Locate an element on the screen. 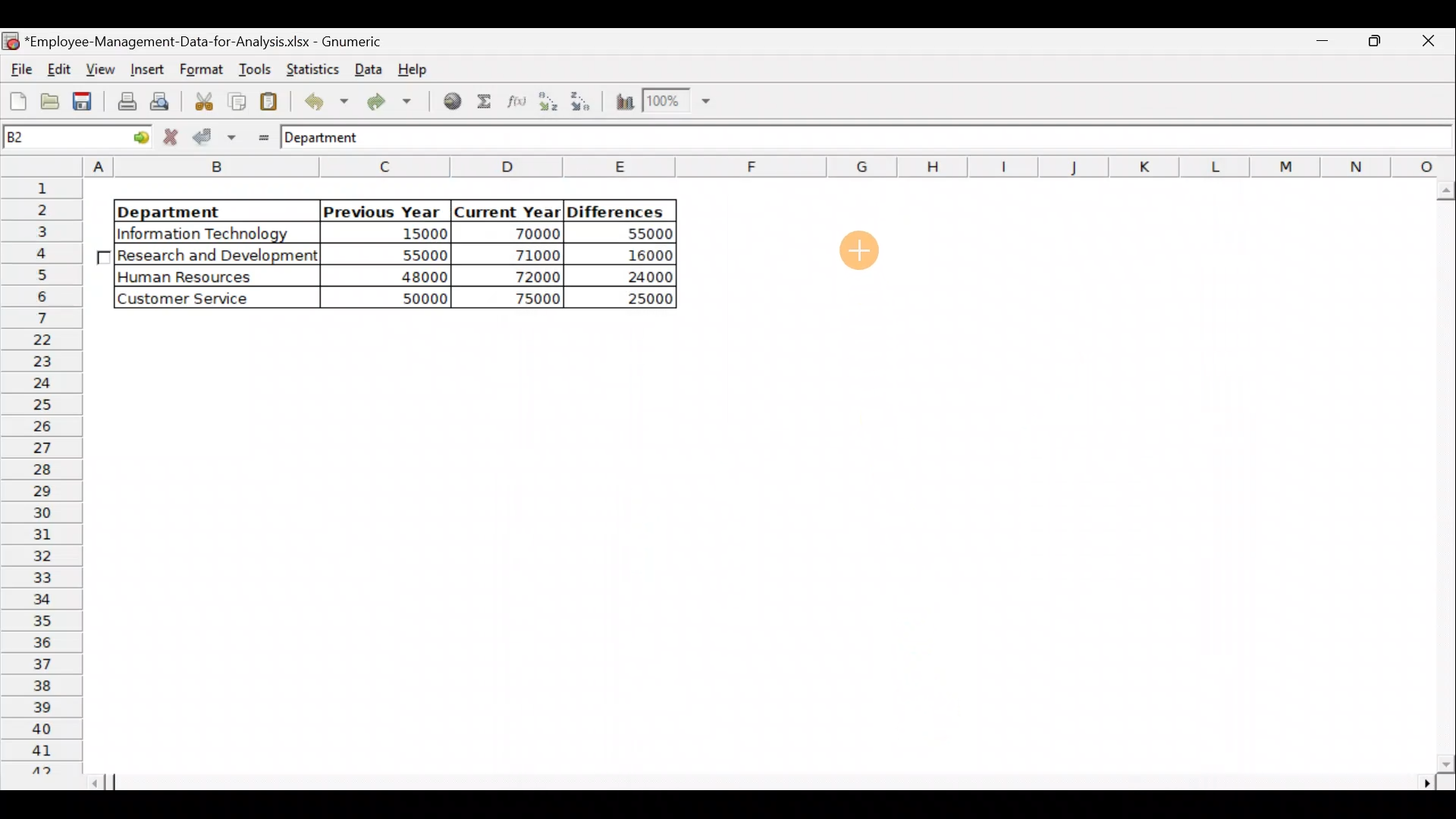 This screenshot has height=819, width=1456. |Information Technology is located at coordinates (215, 233).